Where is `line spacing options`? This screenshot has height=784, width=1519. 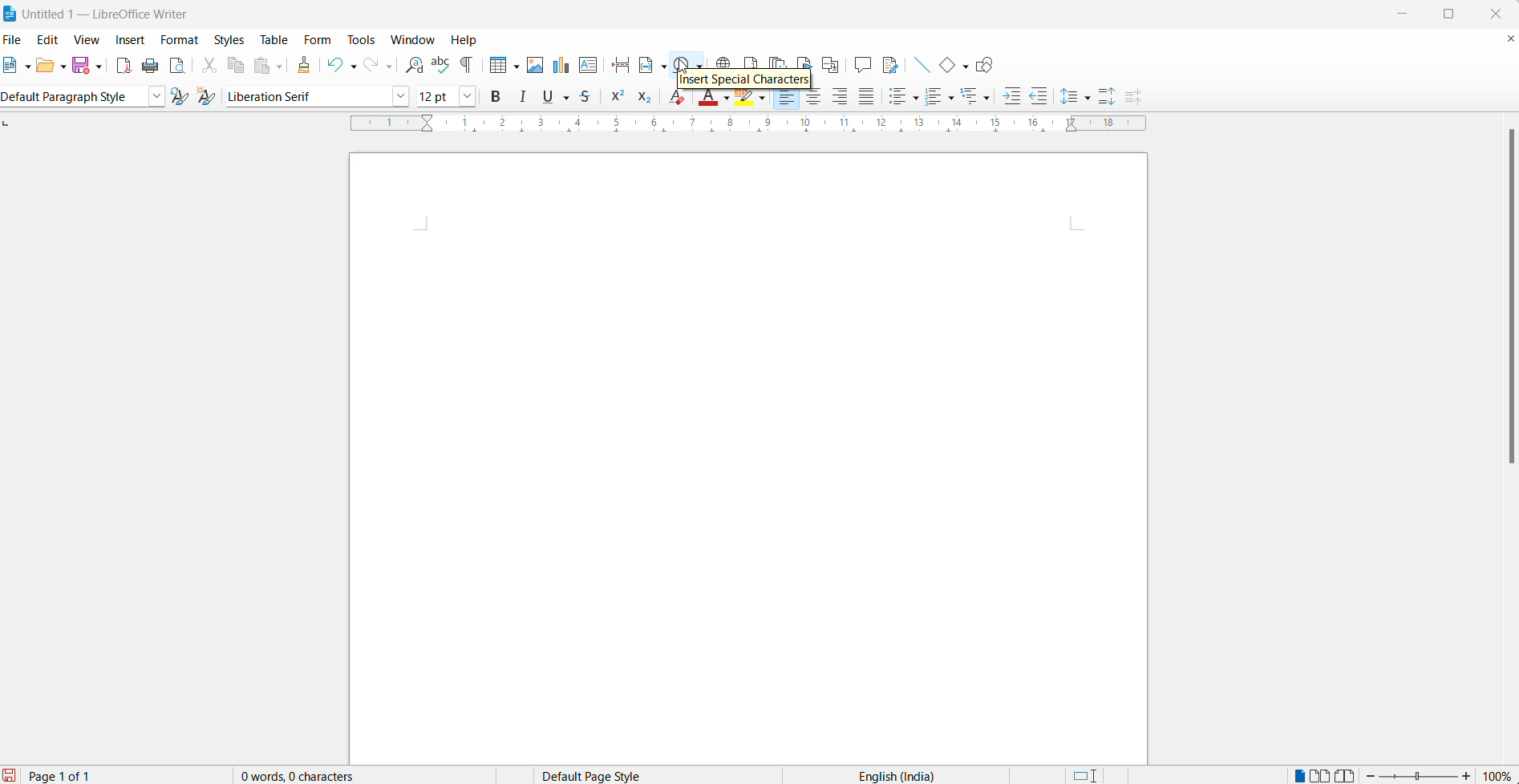
line spacing options is located at coordinates (1091, 95).